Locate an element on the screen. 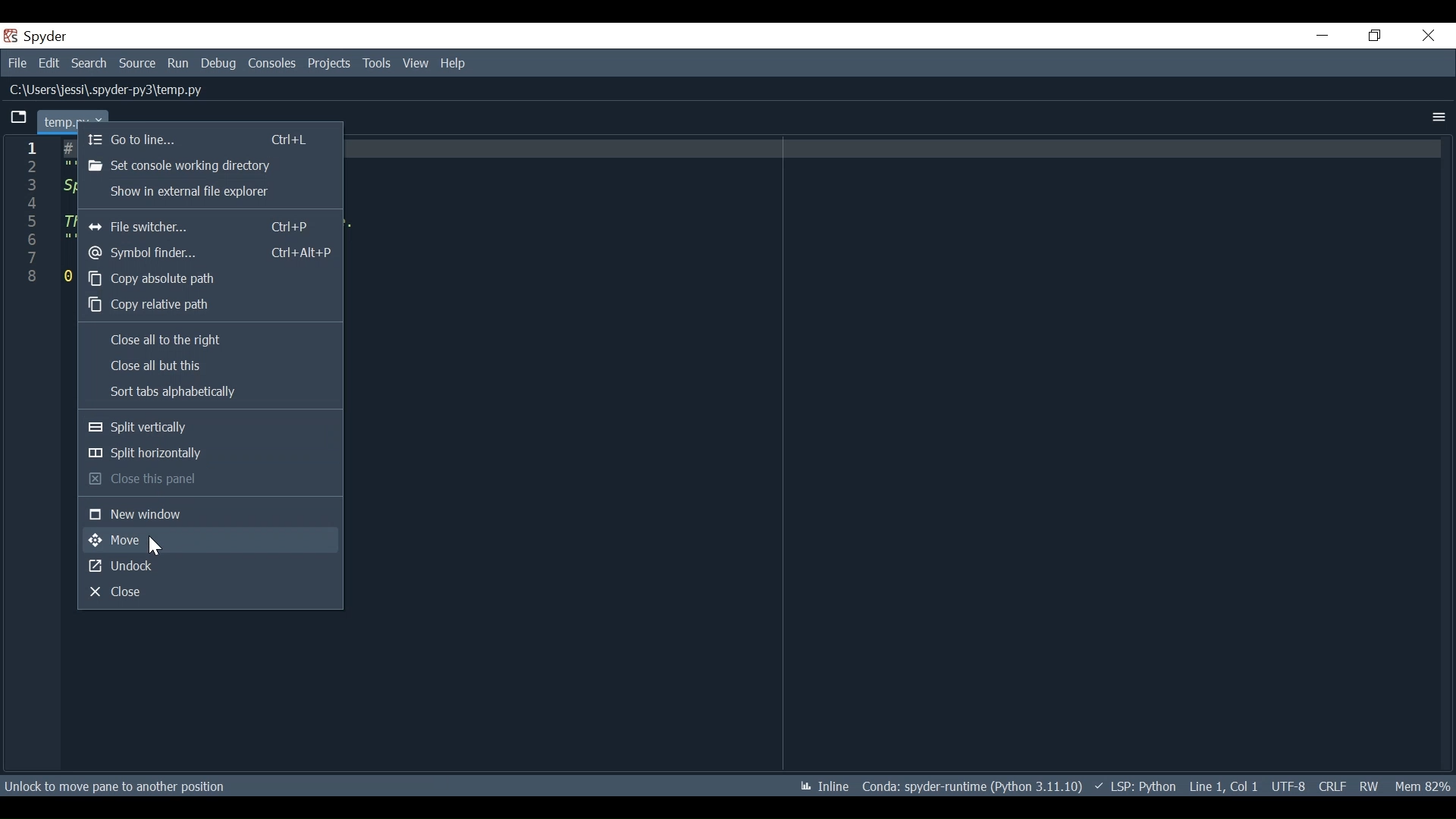 The height and width of the screenshot is (819, 1456). Undock is located at coordinates (210, 567).